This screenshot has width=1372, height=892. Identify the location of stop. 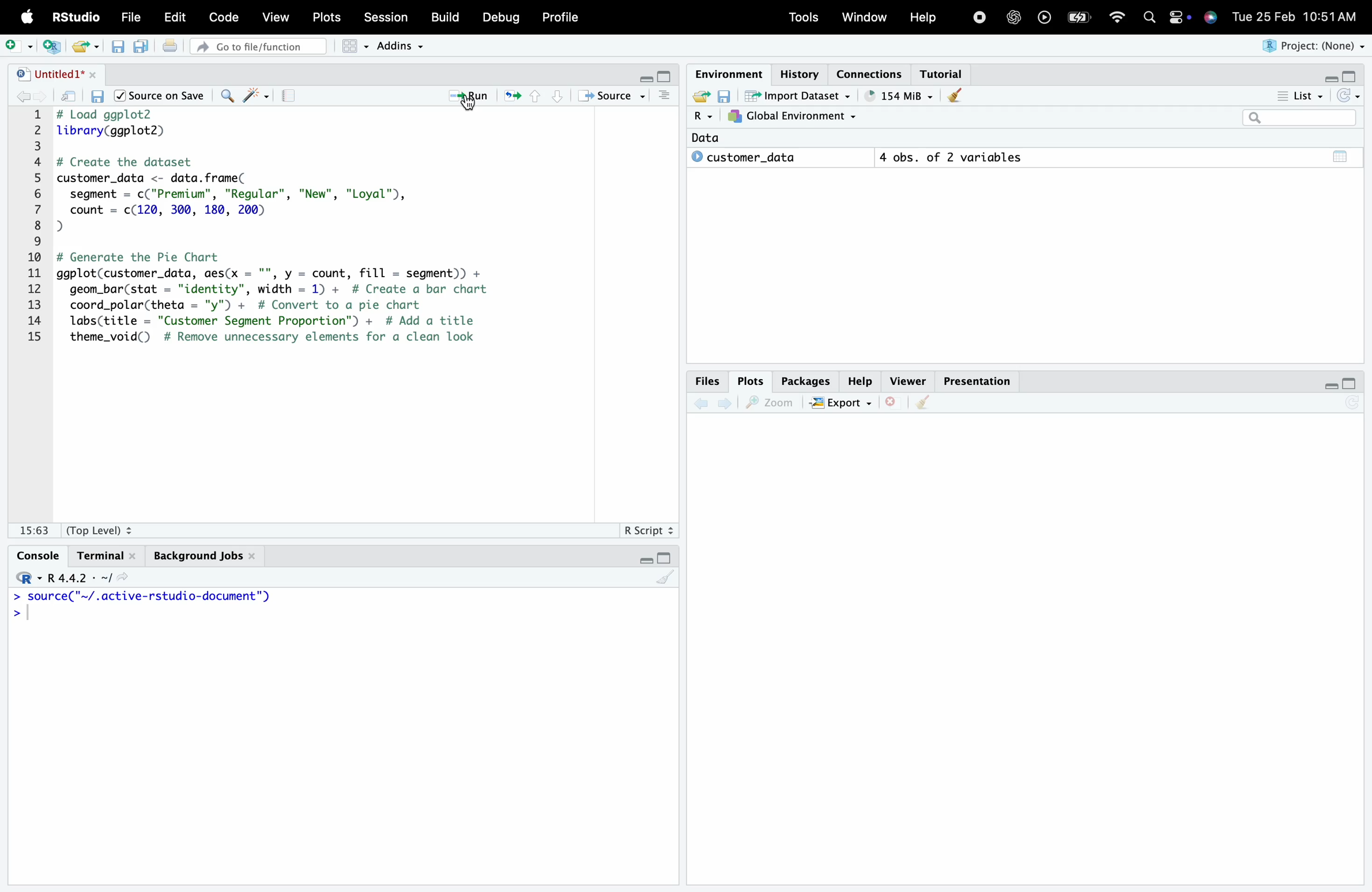
(979, 16).